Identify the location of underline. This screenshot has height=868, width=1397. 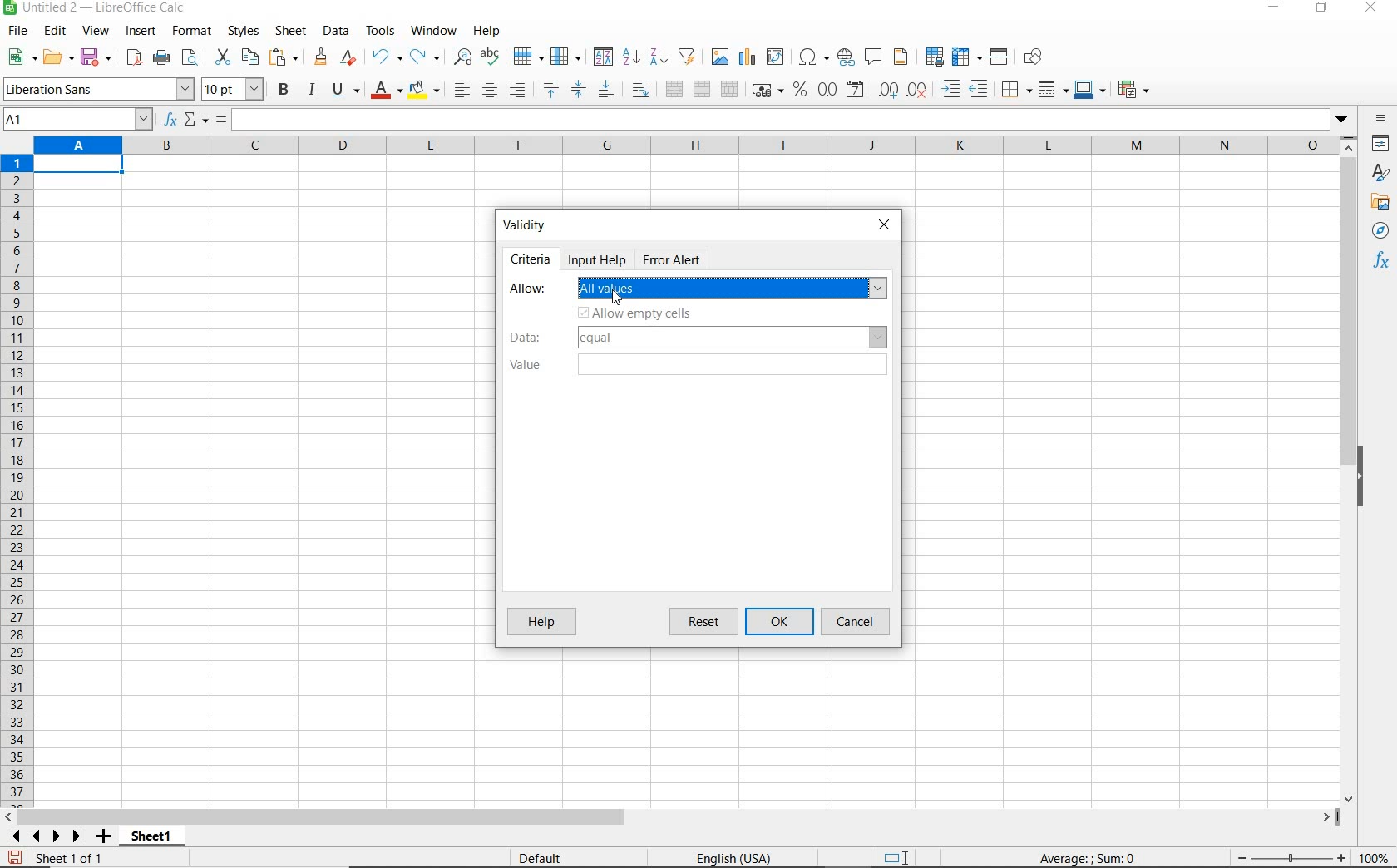
(346, 91).